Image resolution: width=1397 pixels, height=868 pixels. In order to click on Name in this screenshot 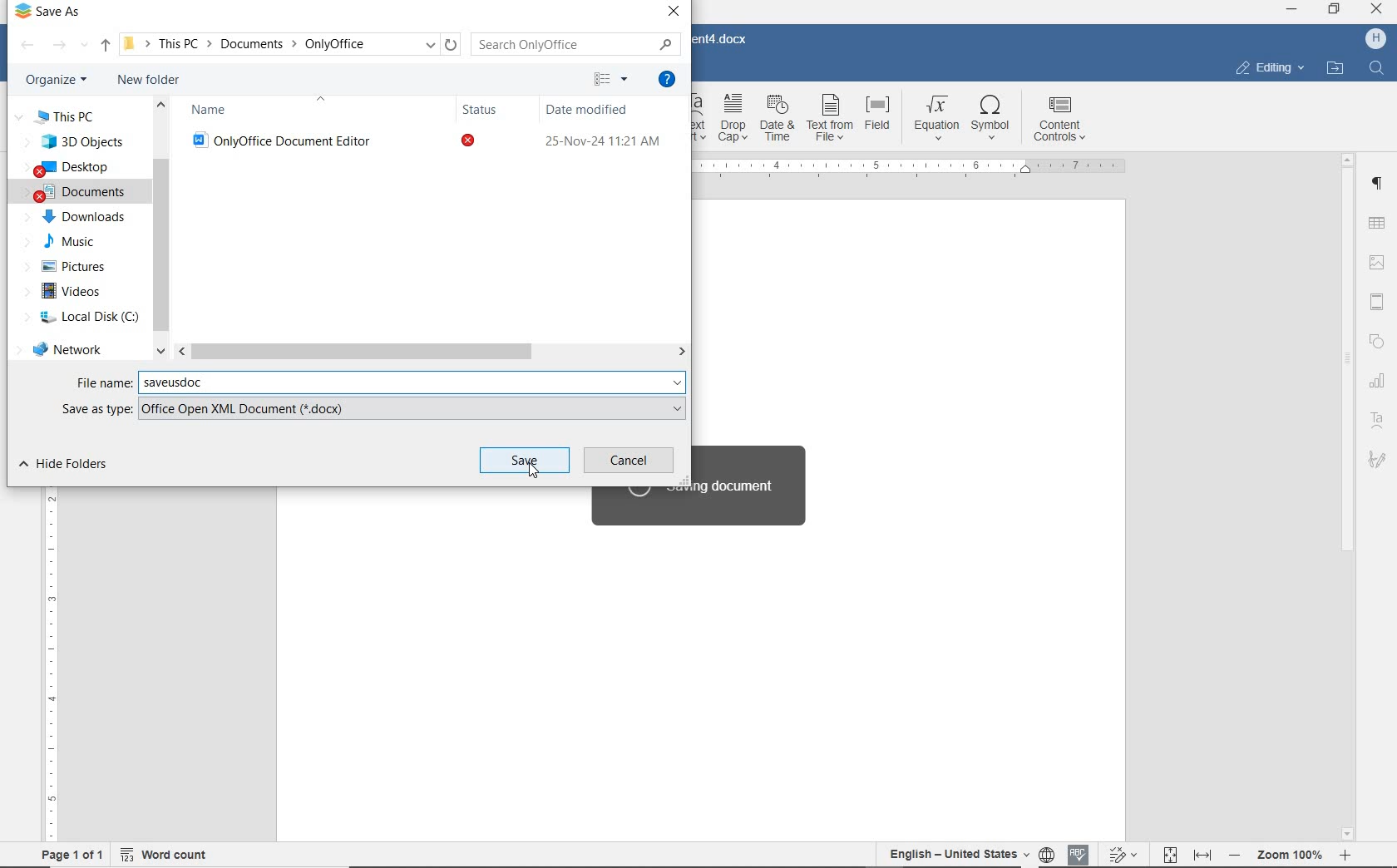, I will do `click(215, 111)`.